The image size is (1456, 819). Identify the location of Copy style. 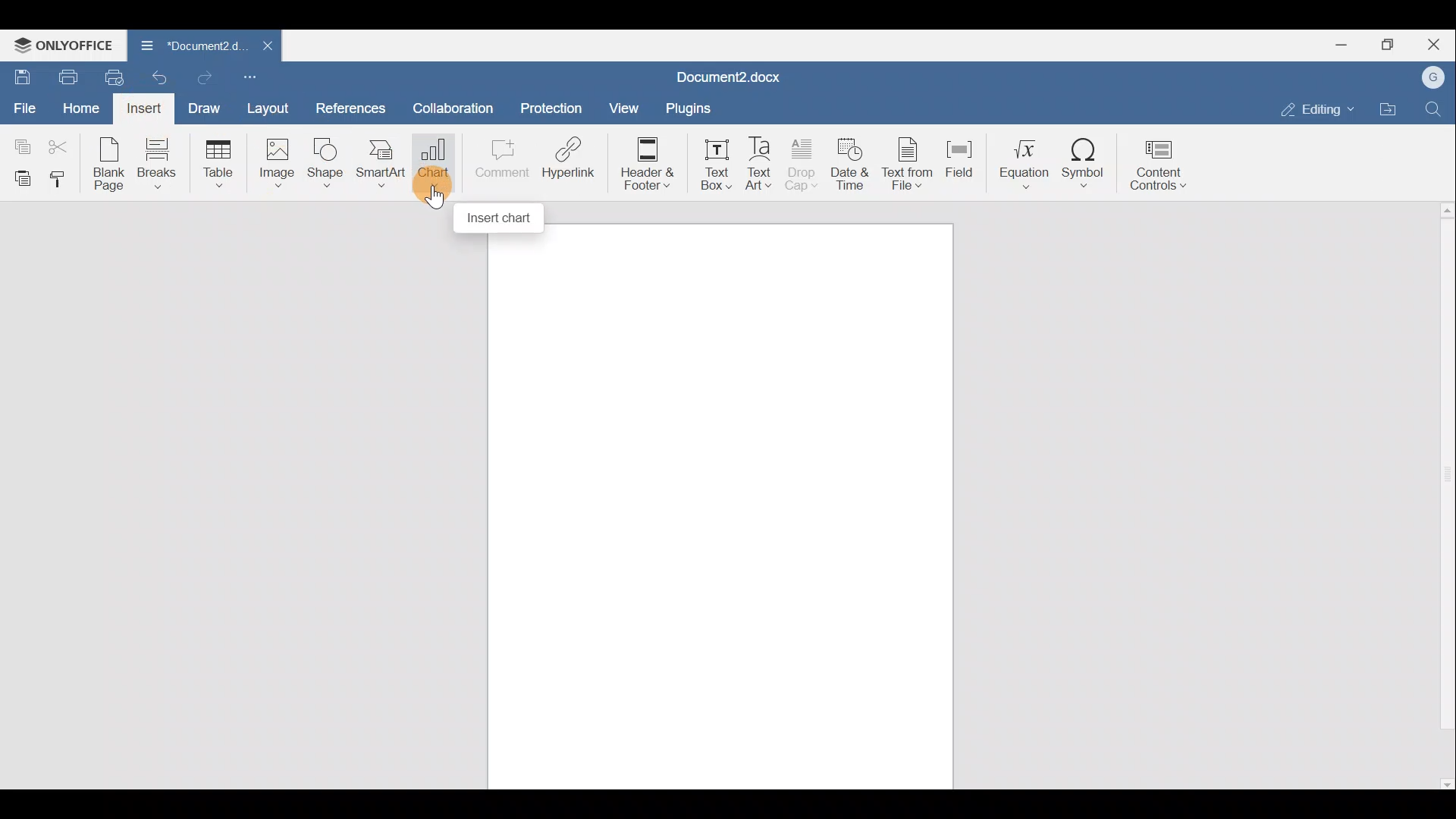
(64, 178).